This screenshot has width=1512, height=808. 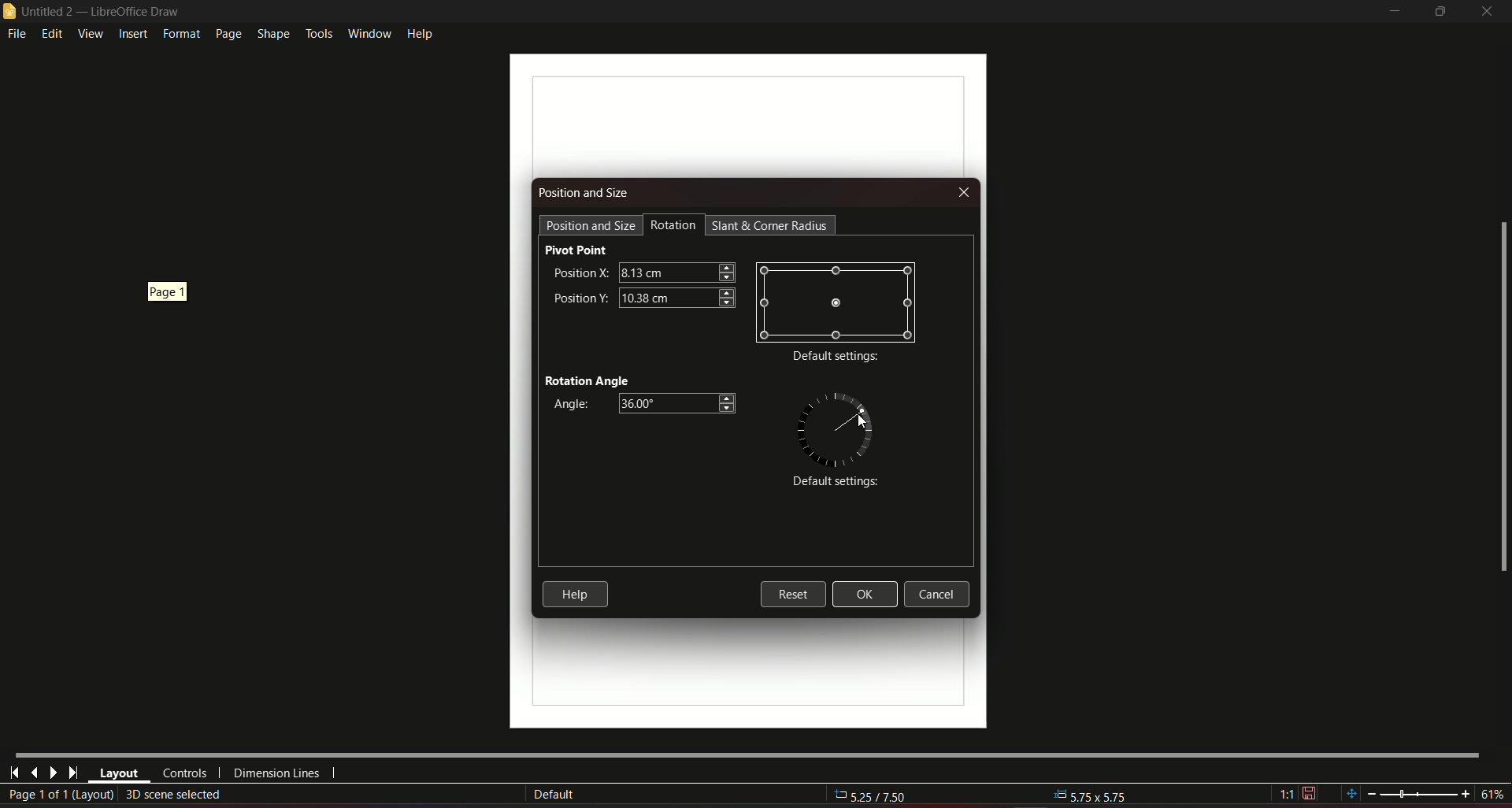 What do you see at coordinates (676, 297) in the screenshot?
I see `textbox` at bounding box center [676, 297].